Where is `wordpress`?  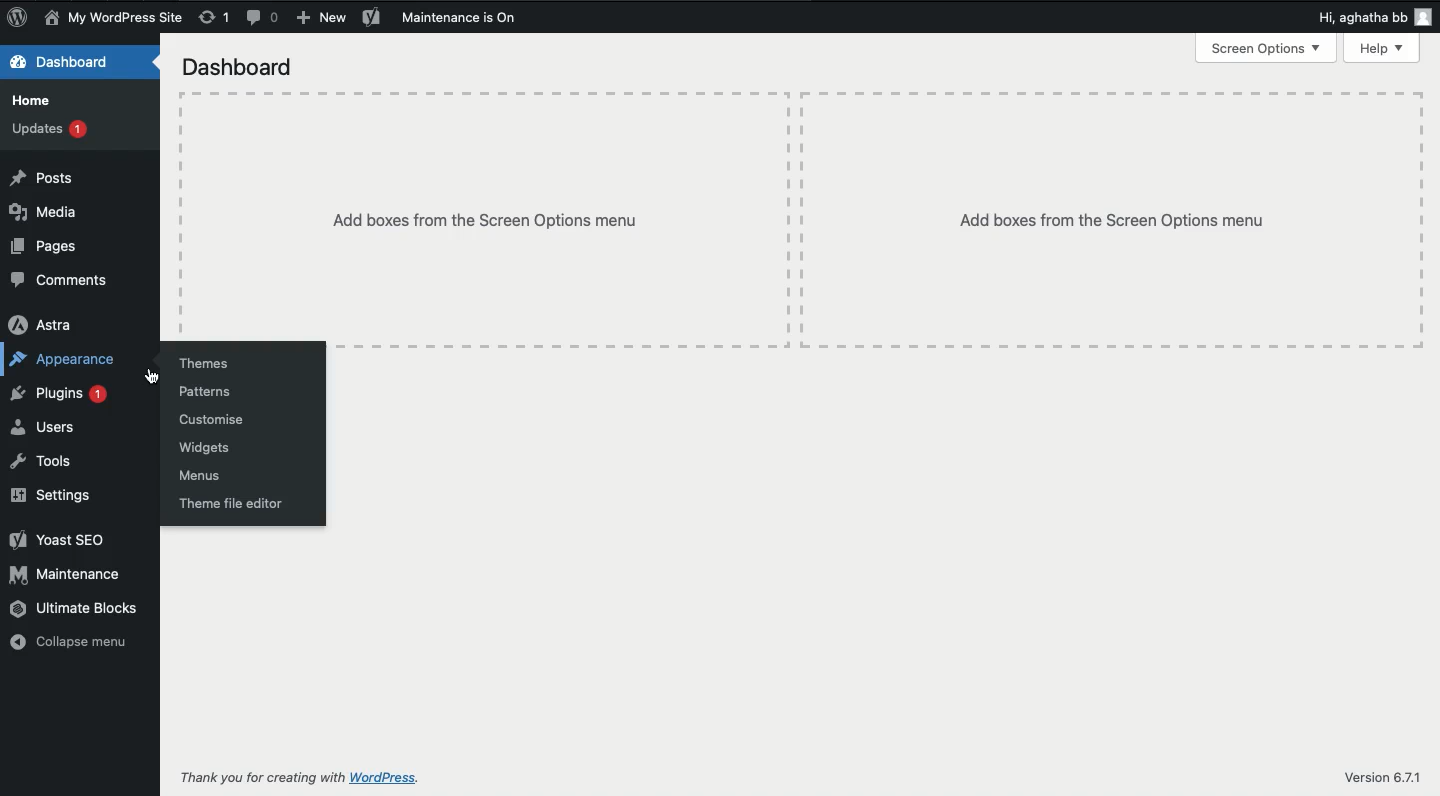
wordpress is located at coordinates (385, 778).